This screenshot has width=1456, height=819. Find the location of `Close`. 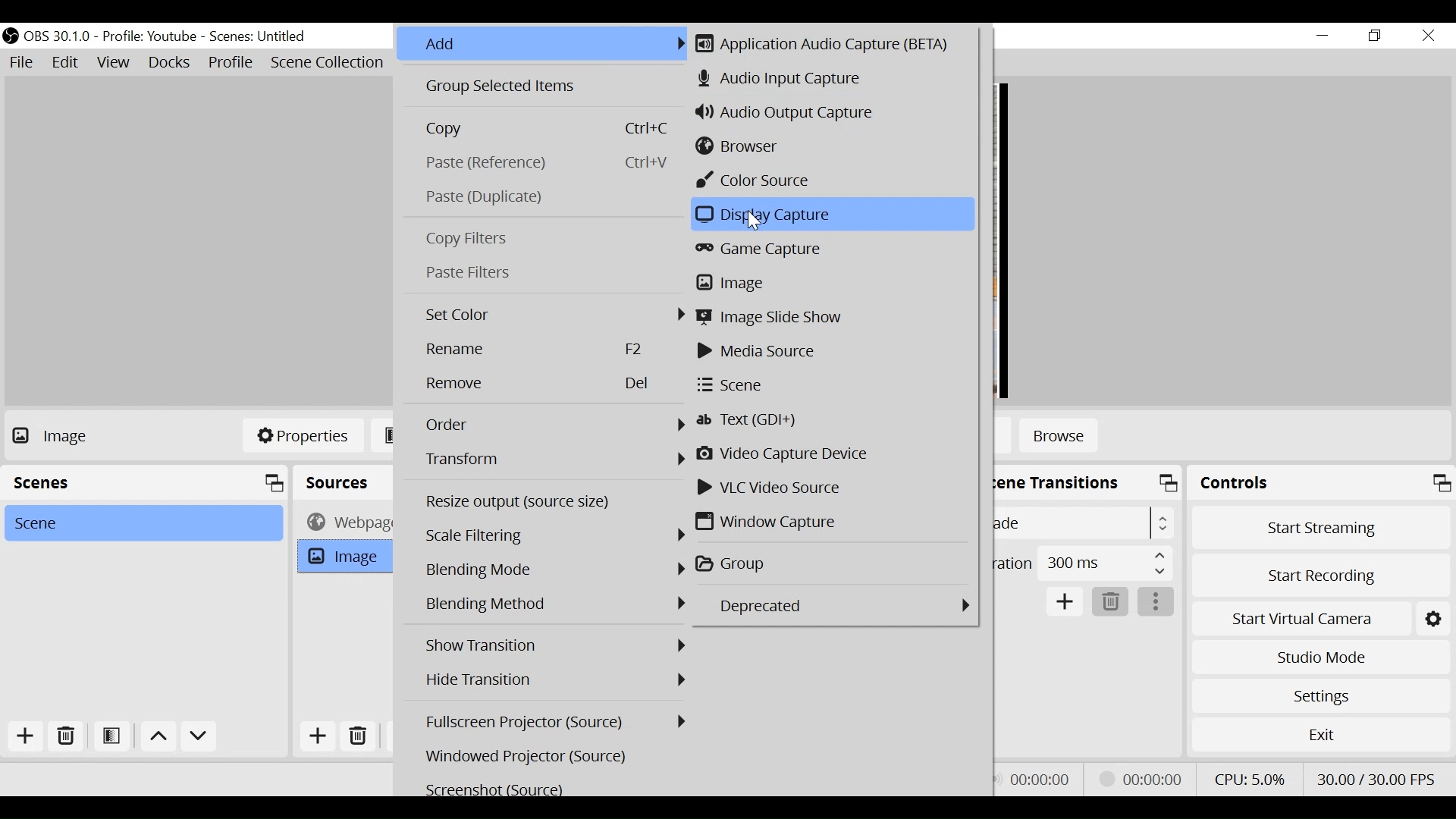

Close is located at coordinates (1429, 37).